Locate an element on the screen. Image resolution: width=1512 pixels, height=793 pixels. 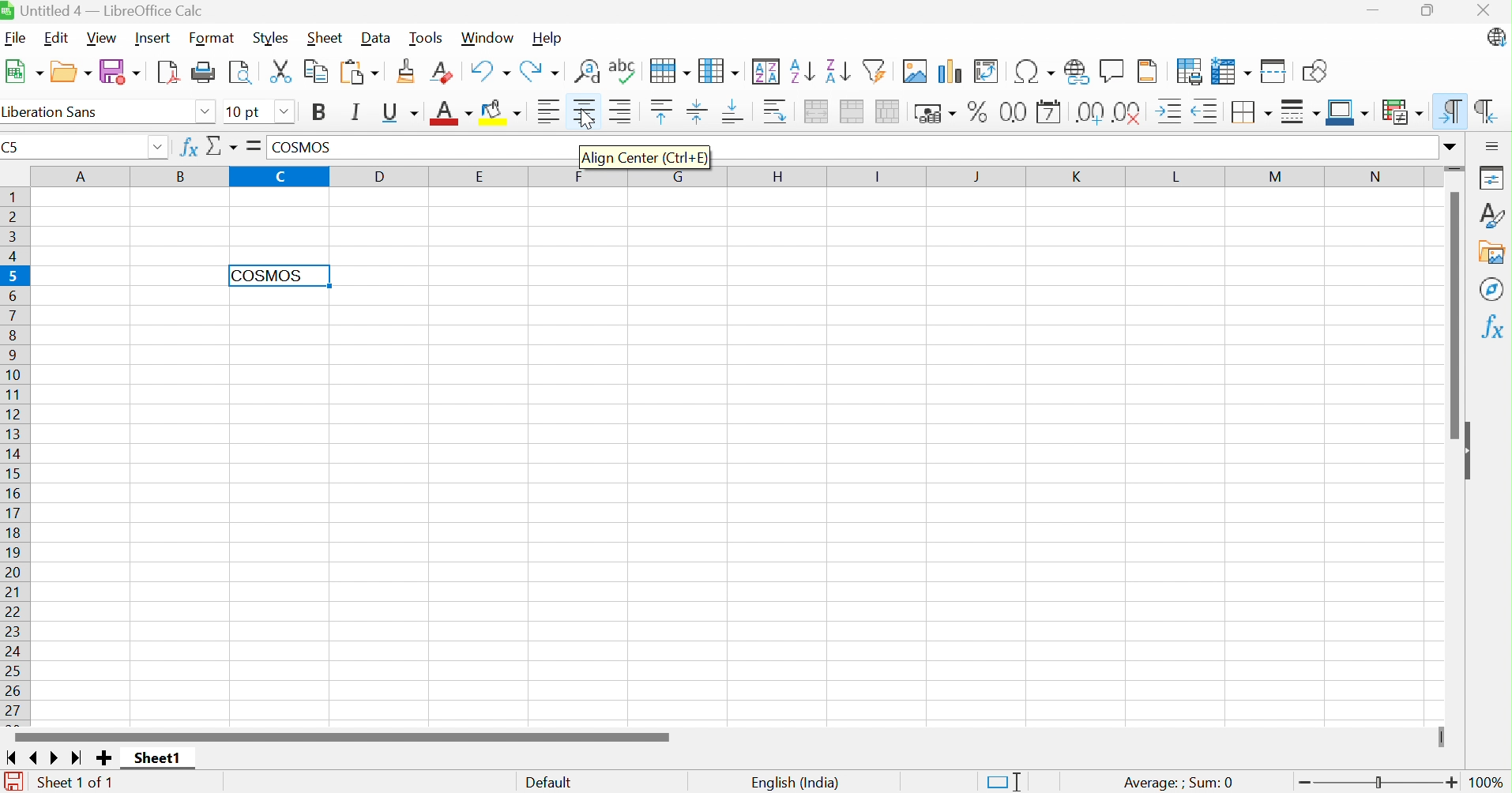
Align Top is located at coordinates (663, 109).